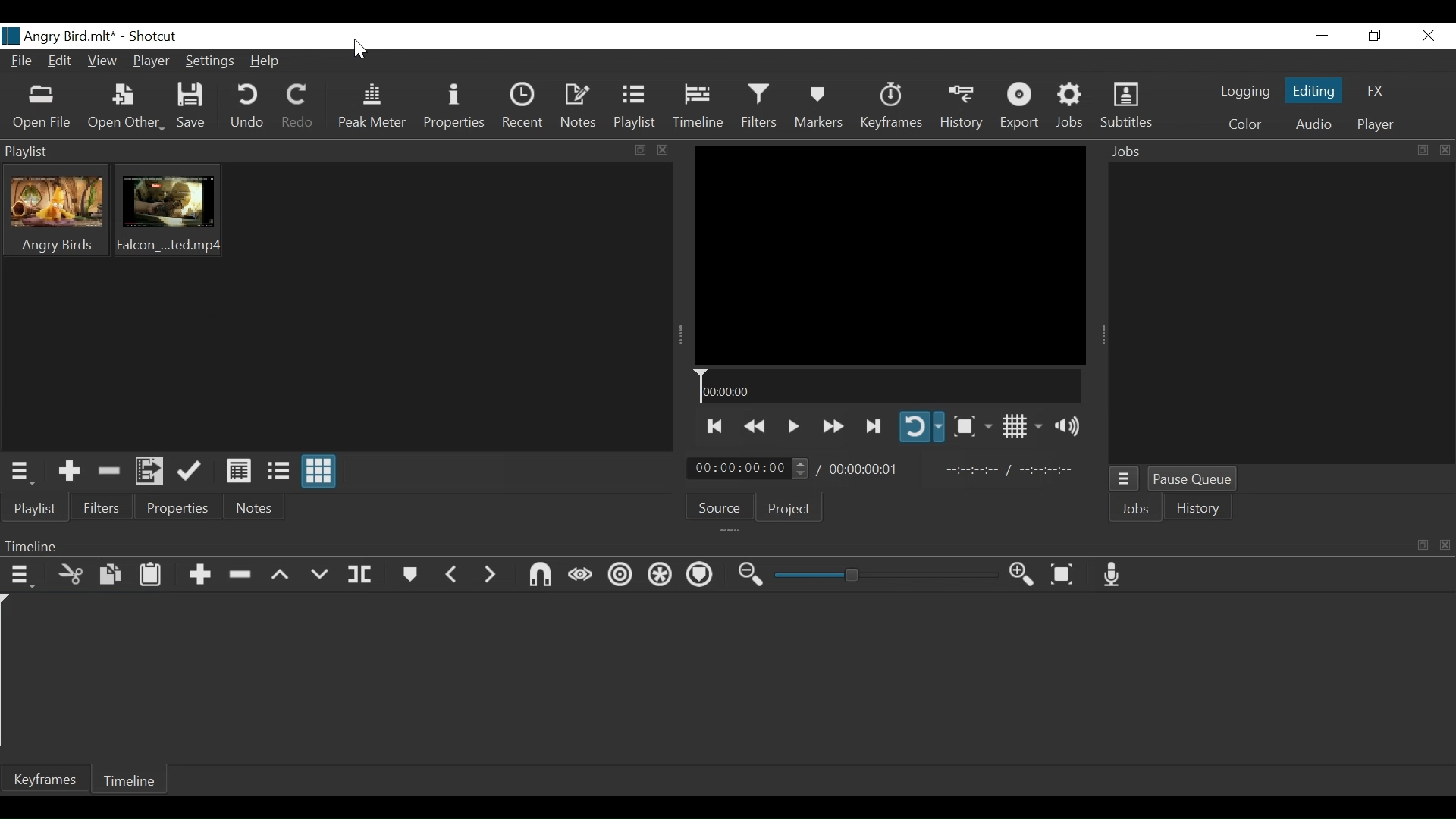 This screenshot has width=1456, height=819. Describe the element at coordinates (249, 108) in the screenshot. I see `Undo` at that location.